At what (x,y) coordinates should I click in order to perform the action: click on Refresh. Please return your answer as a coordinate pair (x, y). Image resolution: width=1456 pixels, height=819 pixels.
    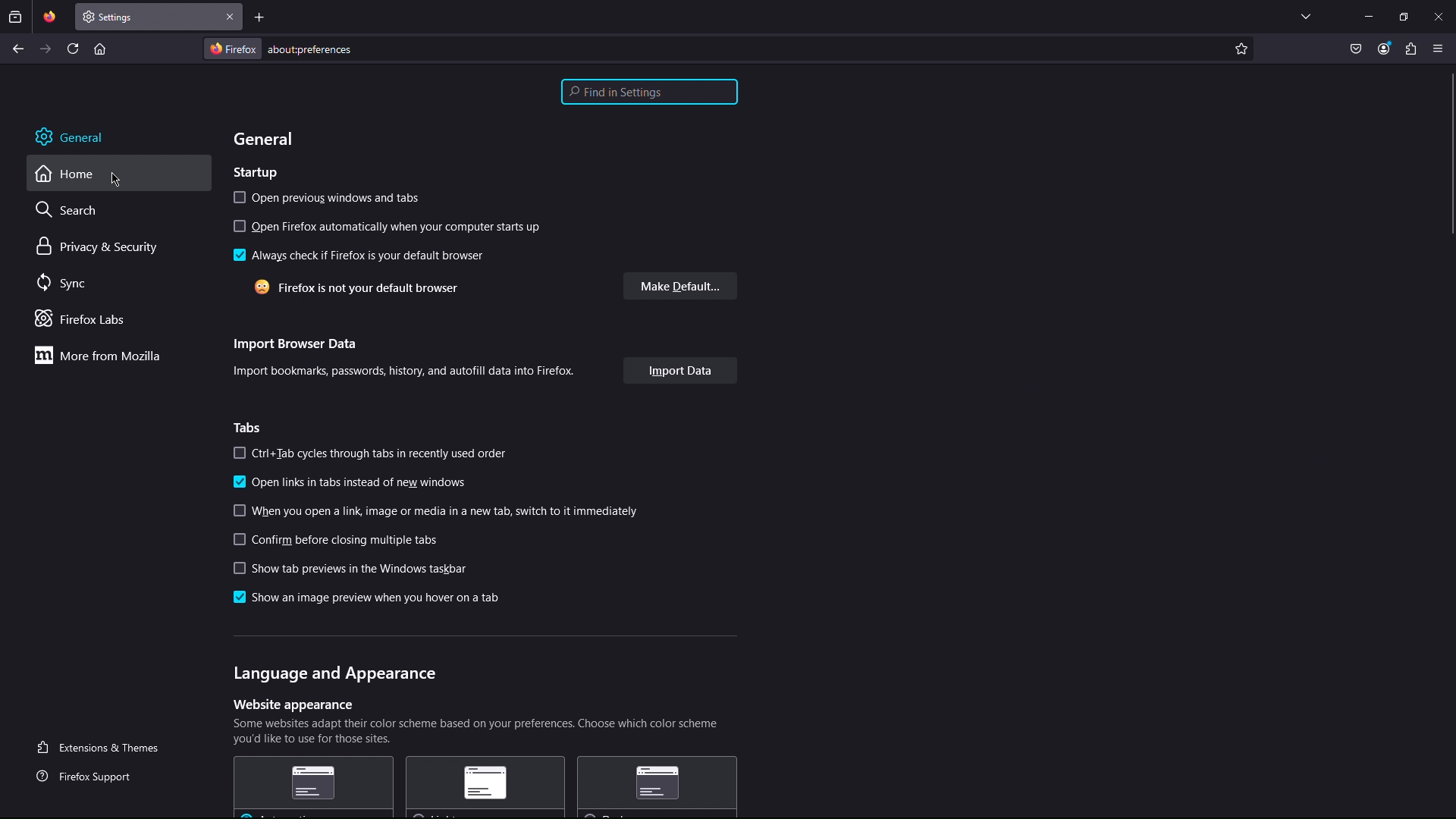
    Looking at the image, I should click on (74, 48).